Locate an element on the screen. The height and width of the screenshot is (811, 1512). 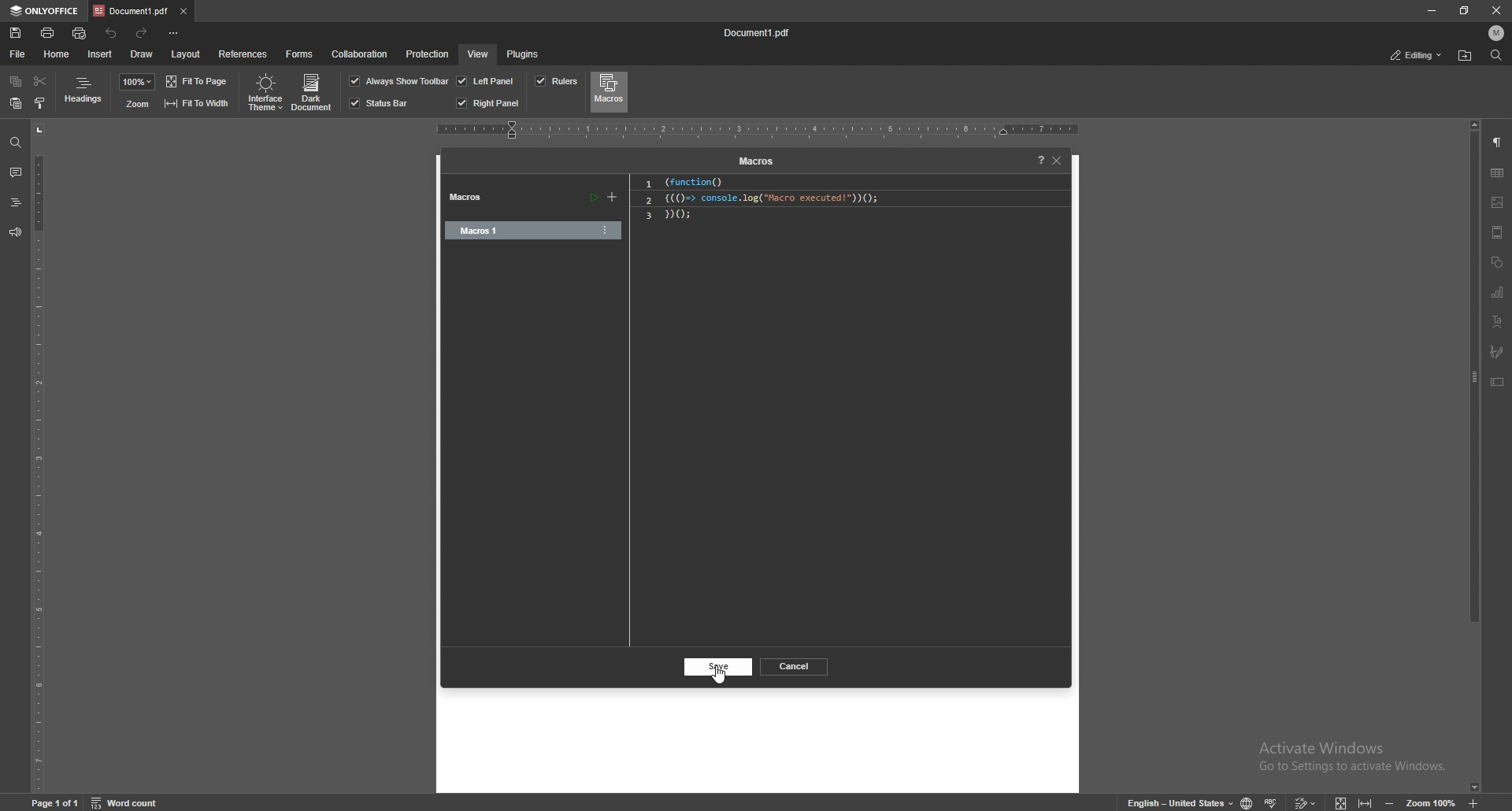
profile is located at coordinates (1497, 33).